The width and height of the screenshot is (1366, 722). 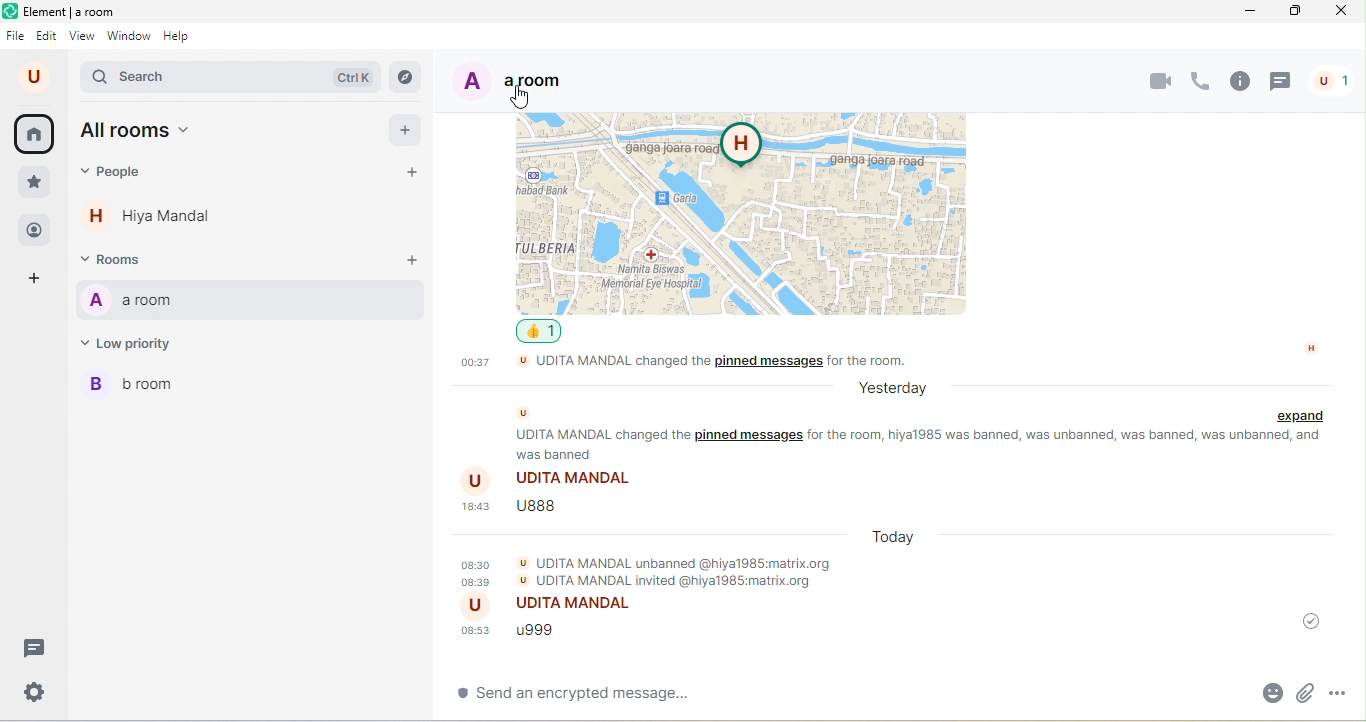 What do you see at coordinates (728, 363) in the screenshot?
I see `udita mandal changed the pinned message for the room` at bounding box center [728, 363].